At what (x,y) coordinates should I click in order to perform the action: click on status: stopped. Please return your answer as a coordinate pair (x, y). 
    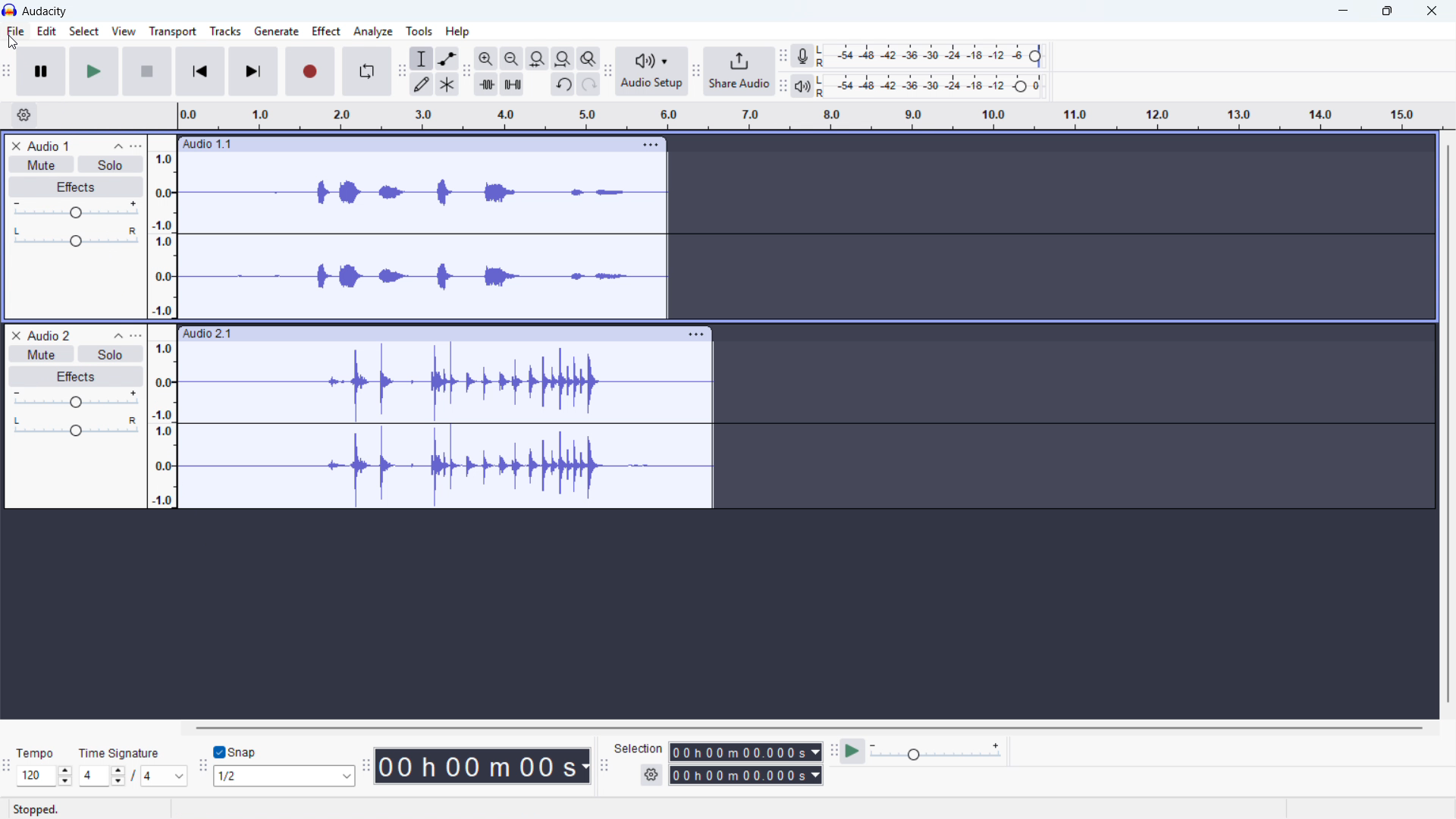
    Looking at the image, I should click on (36, 810).